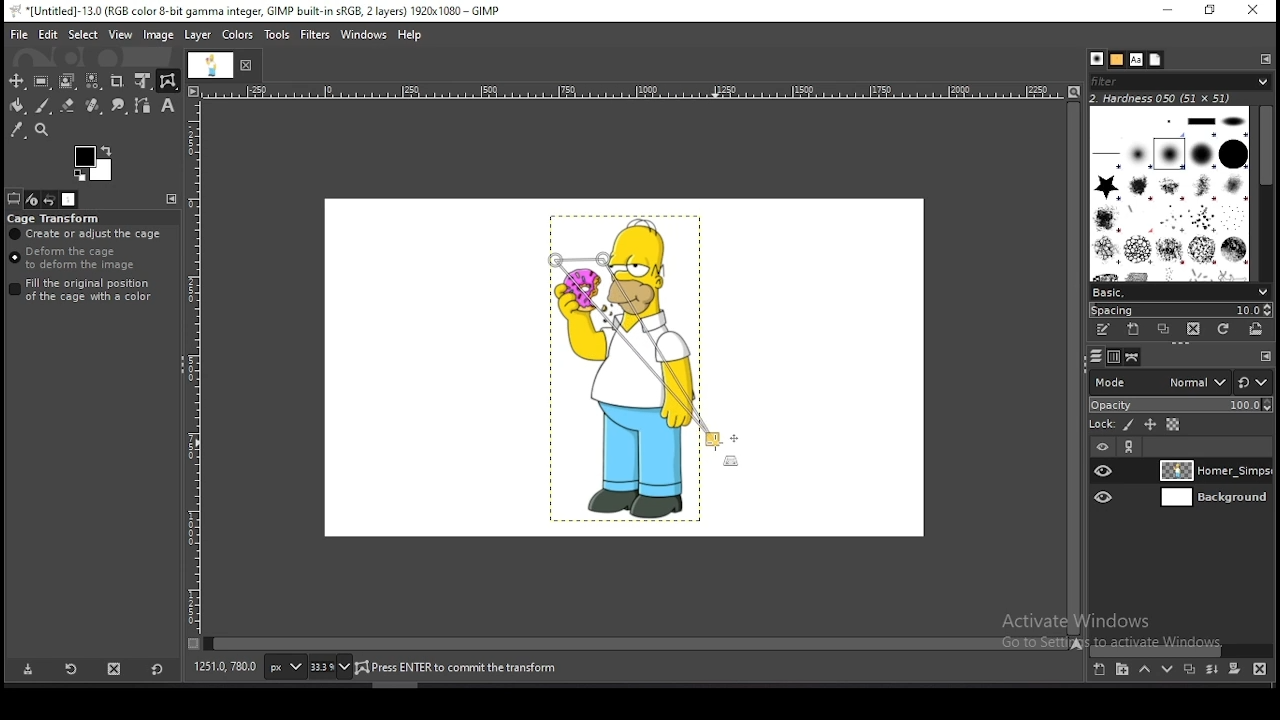  Describe the element at coordinates (17, 81) in the screenshot. I see `move tool` at that location.